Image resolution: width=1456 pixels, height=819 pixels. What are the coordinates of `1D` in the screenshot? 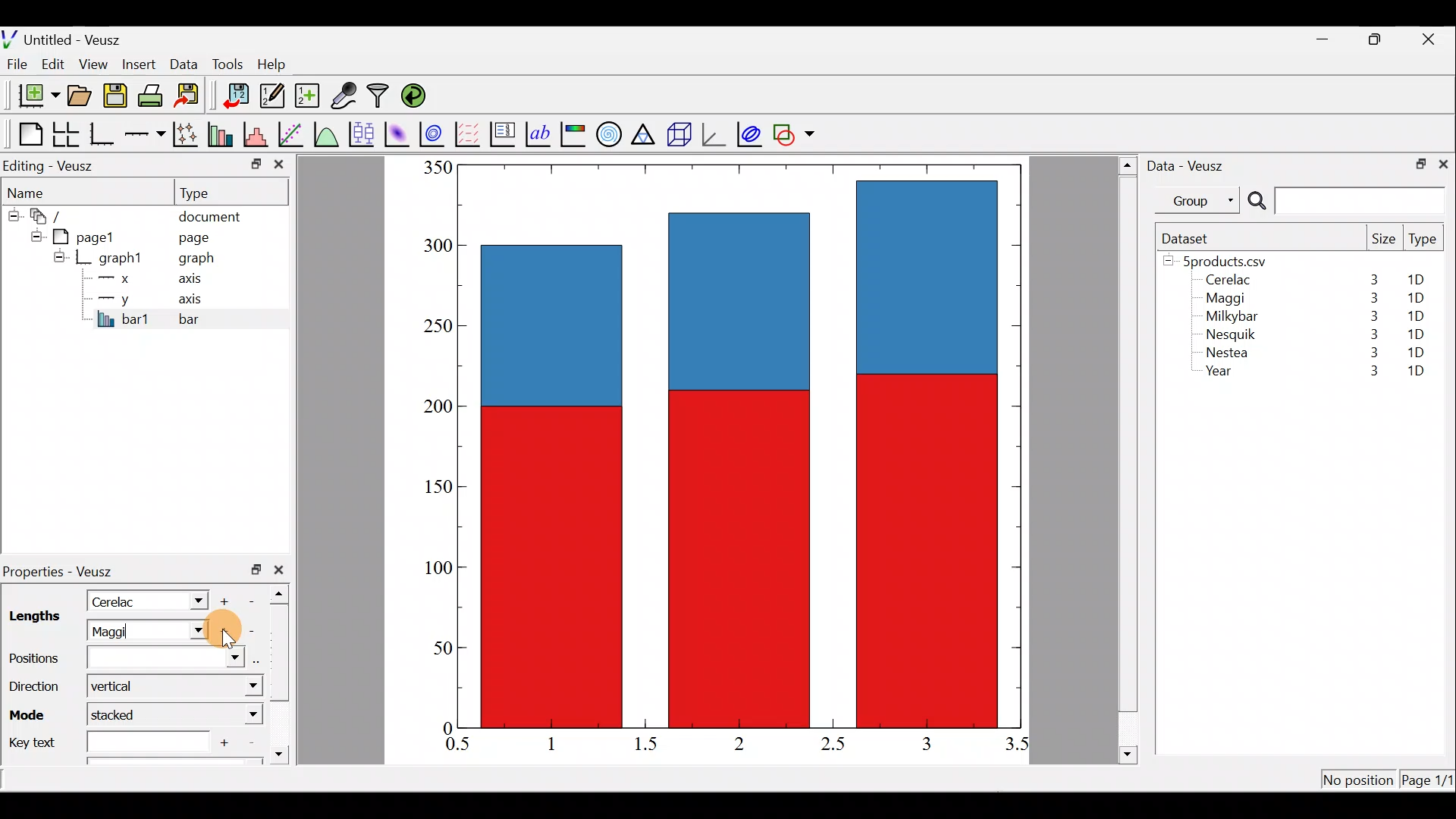 It's located at (1415, 298).